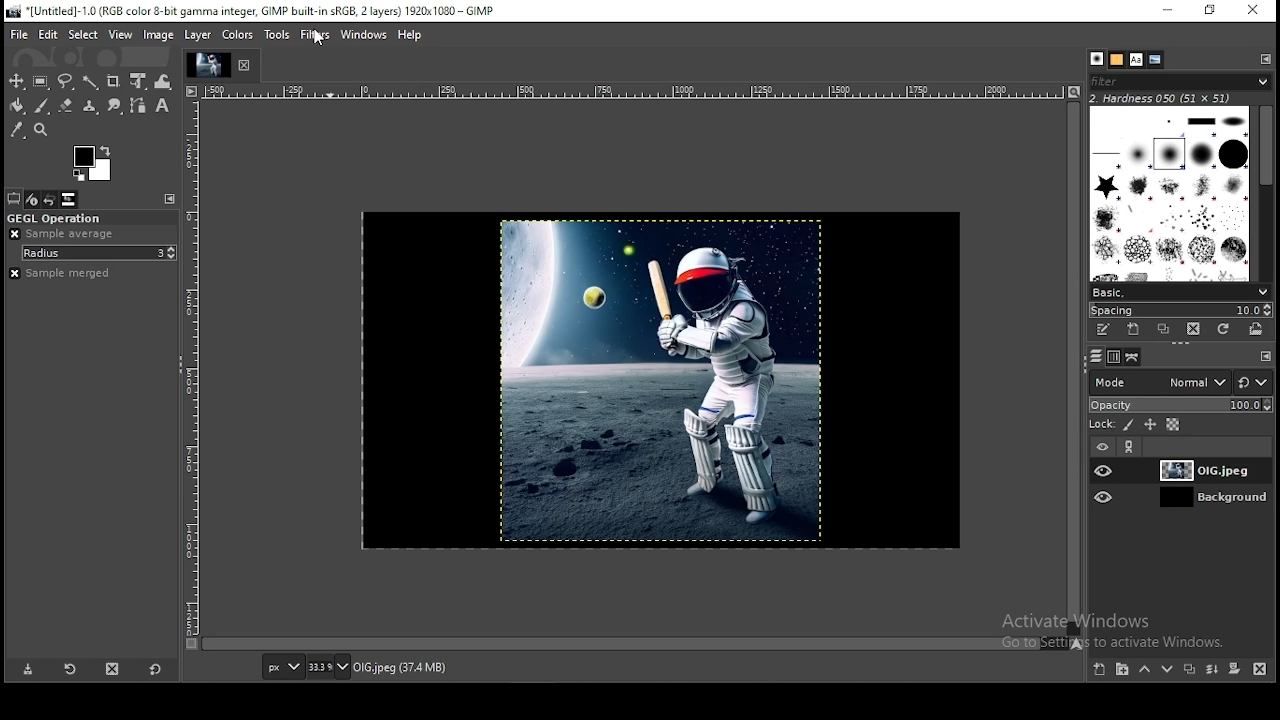 The image size is (1280, 720). What do you see at coordinates (48, 34) in the screenshot?
I see `edit` at bounding box center [48, 34].